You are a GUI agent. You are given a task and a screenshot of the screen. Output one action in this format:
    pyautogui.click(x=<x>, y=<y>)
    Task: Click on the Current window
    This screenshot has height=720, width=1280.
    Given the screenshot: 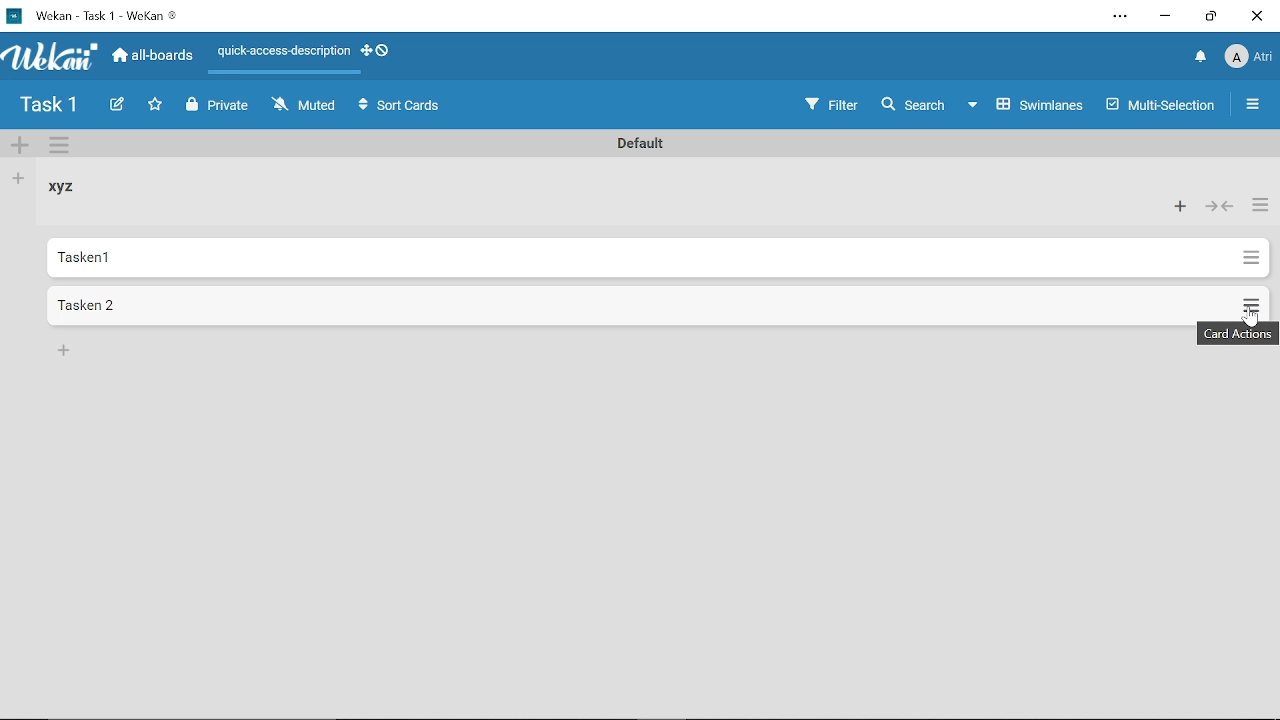 What is the action you would take?
    pyautogui.click(x=102, y=16)
    